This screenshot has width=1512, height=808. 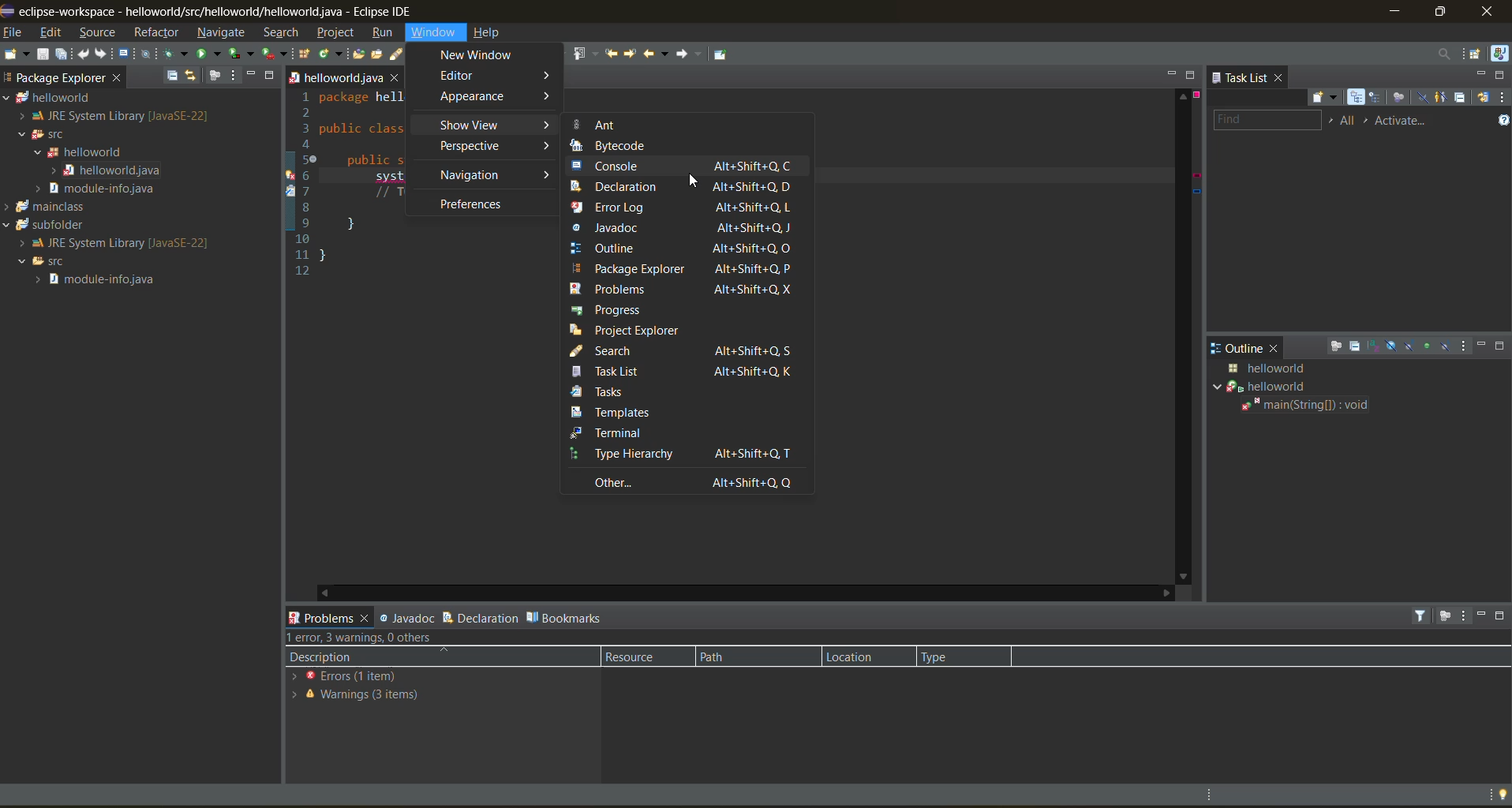 I want to click on description, so click(x=369, y=660).